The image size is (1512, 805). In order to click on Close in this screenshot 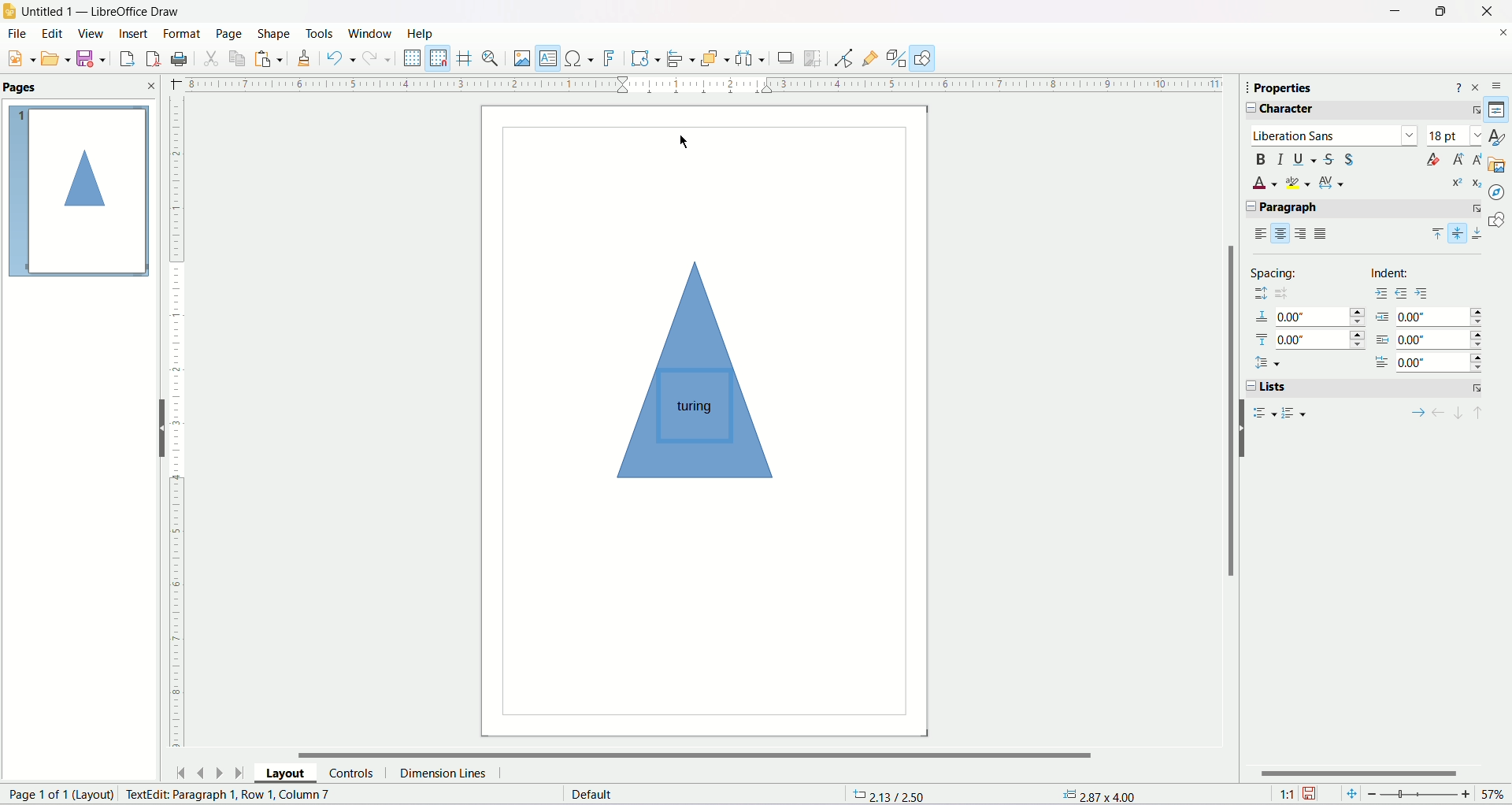, I will do `click(1488, 12)`.